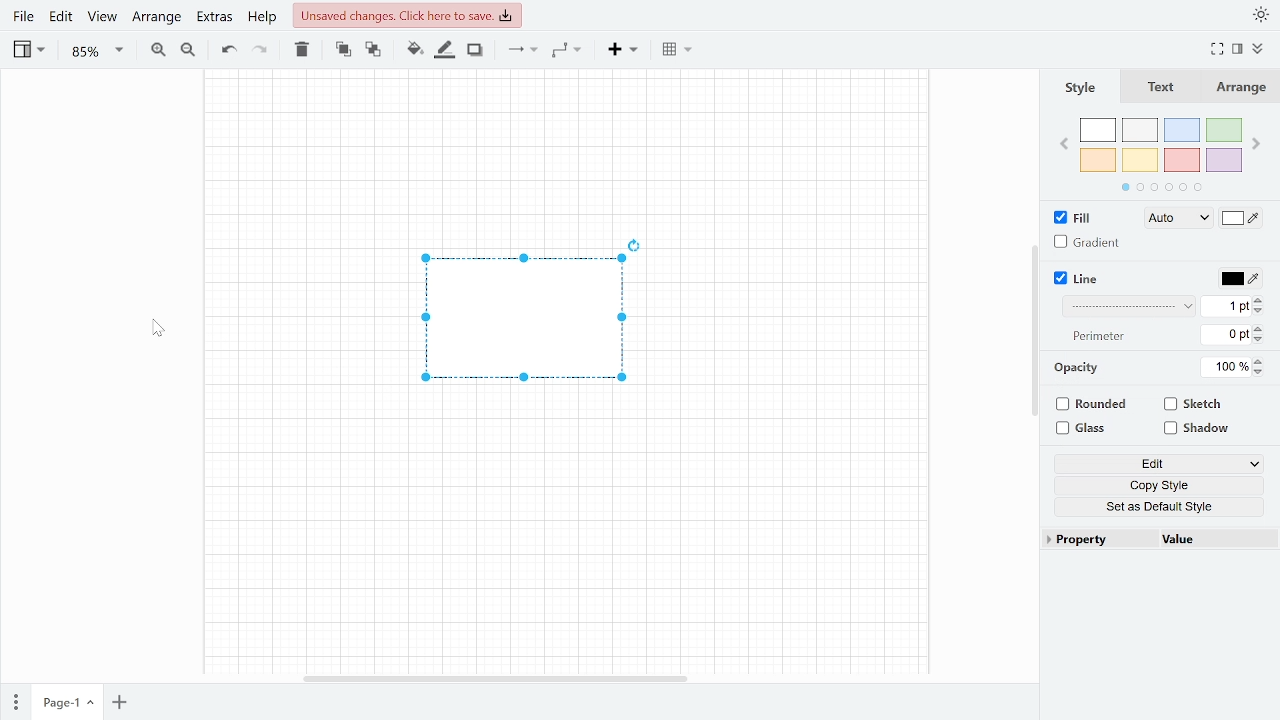 The image size is (1280, 720). What do you see at coordinates (14, 702) in the screenshot?
I see `Pages` at bounding box center [14, 702].